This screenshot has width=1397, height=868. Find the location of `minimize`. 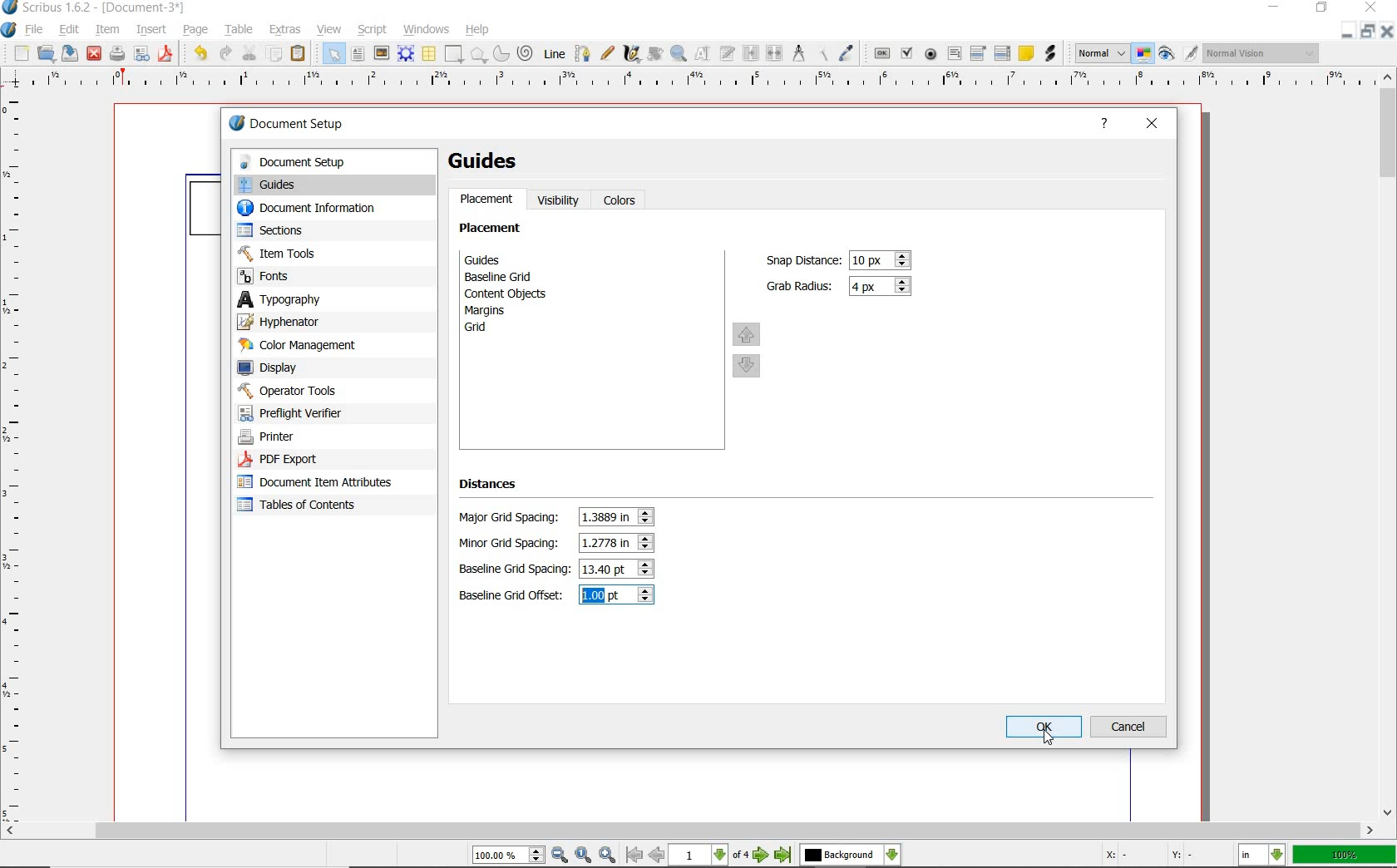

minimize is located at coordinates (1349, 31).